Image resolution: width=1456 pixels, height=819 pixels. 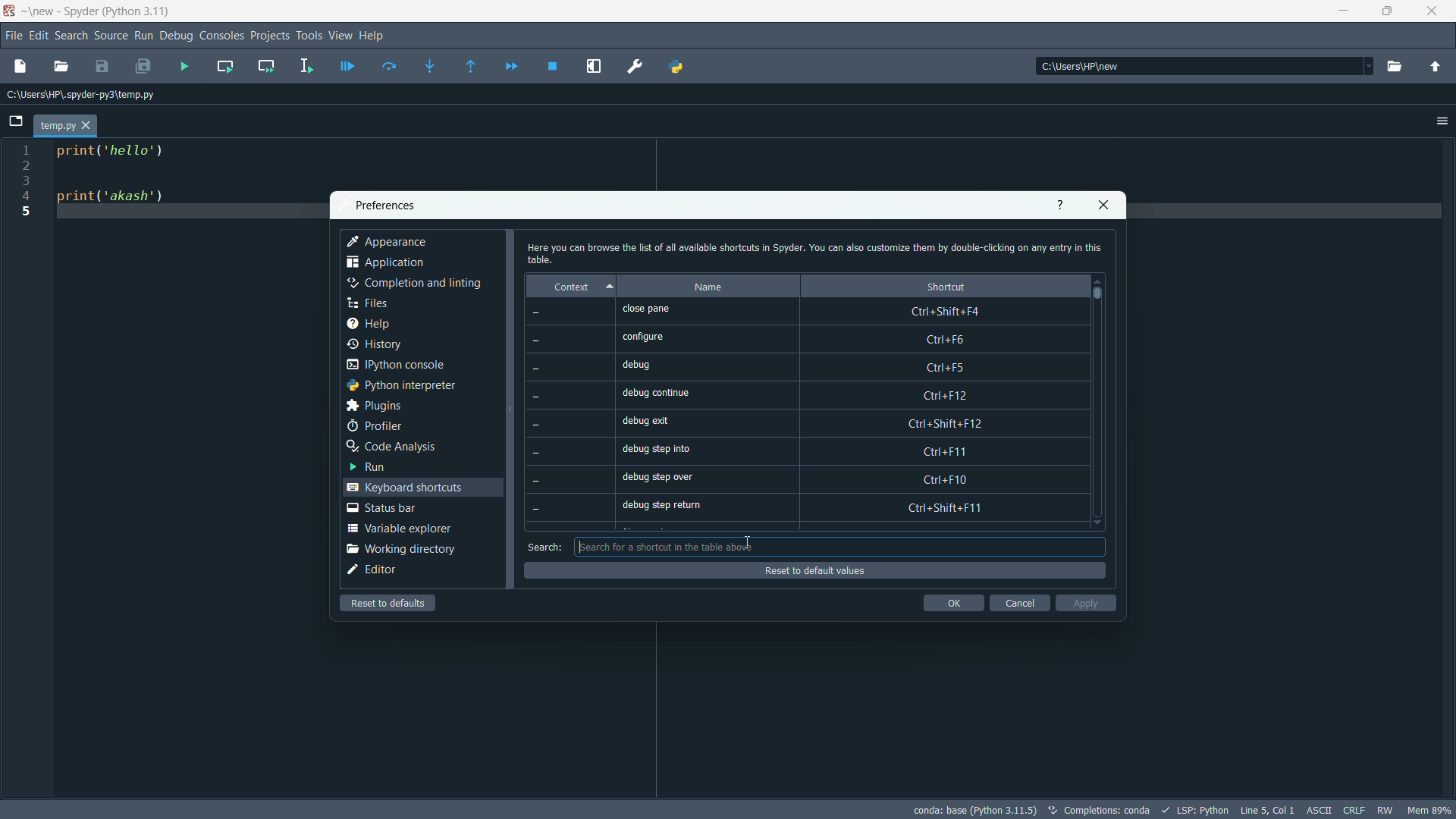 What do you see at coordinates (676, 67) in the screenshot?
I see `python path manager` at bounding box center [676, 67].